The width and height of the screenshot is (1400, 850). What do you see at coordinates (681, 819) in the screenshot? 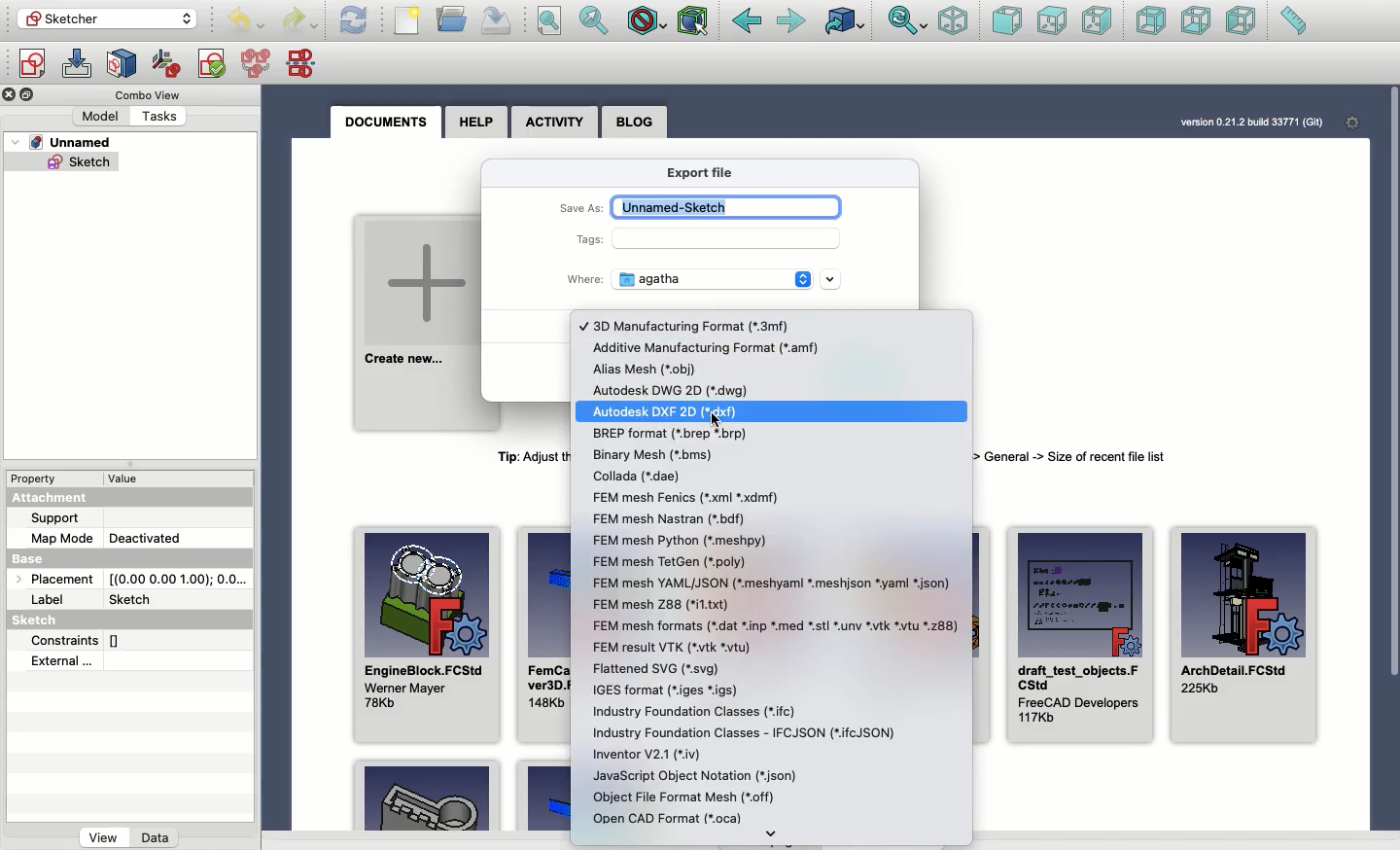
I see `OCAF` at bounding box center [681, 819].